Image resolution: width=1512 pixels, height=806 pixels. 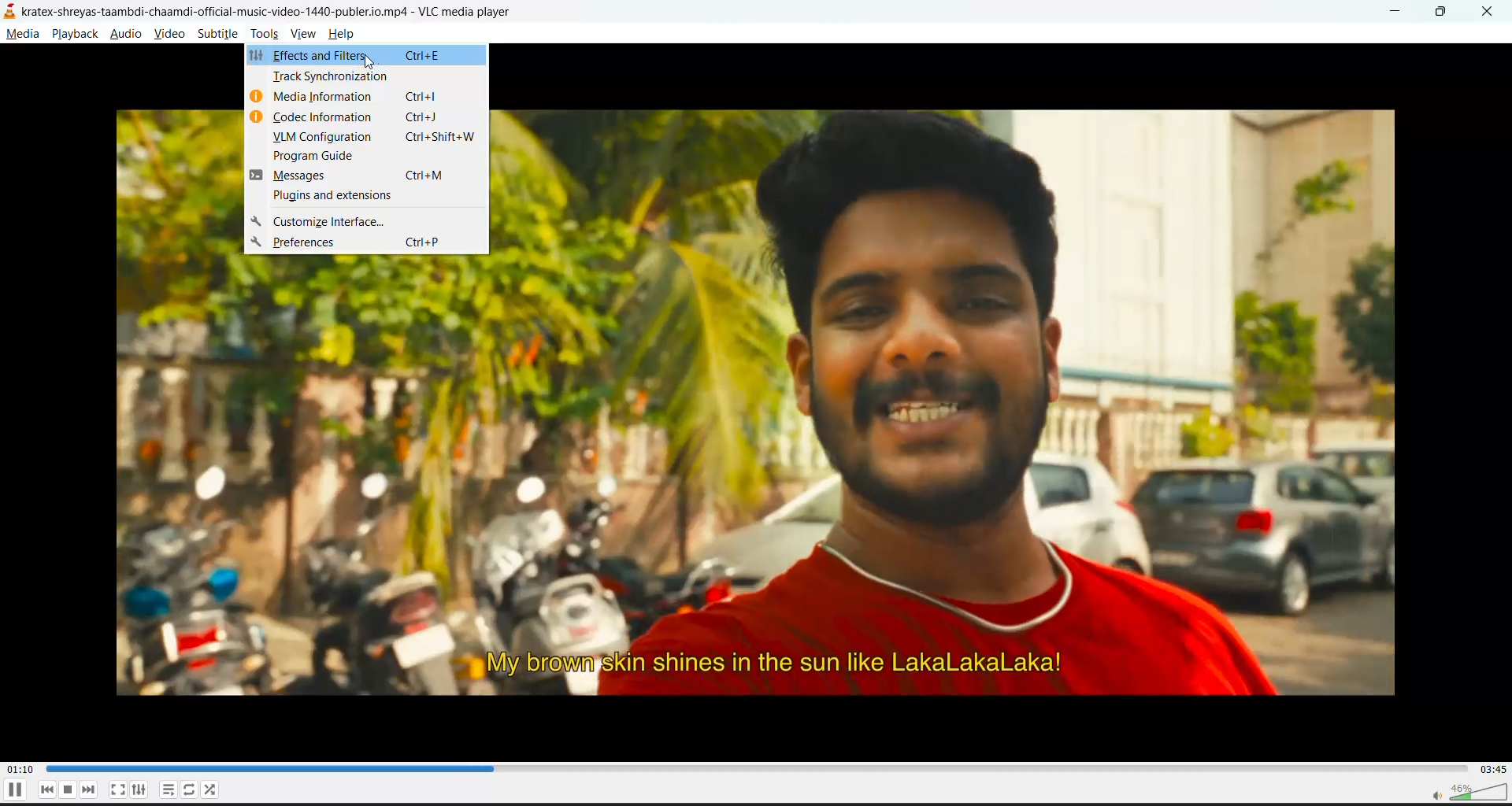 What do you see at coordinates (329, 222) in the screenshot?
I see `customize interface` at bounding box center [329, 222].